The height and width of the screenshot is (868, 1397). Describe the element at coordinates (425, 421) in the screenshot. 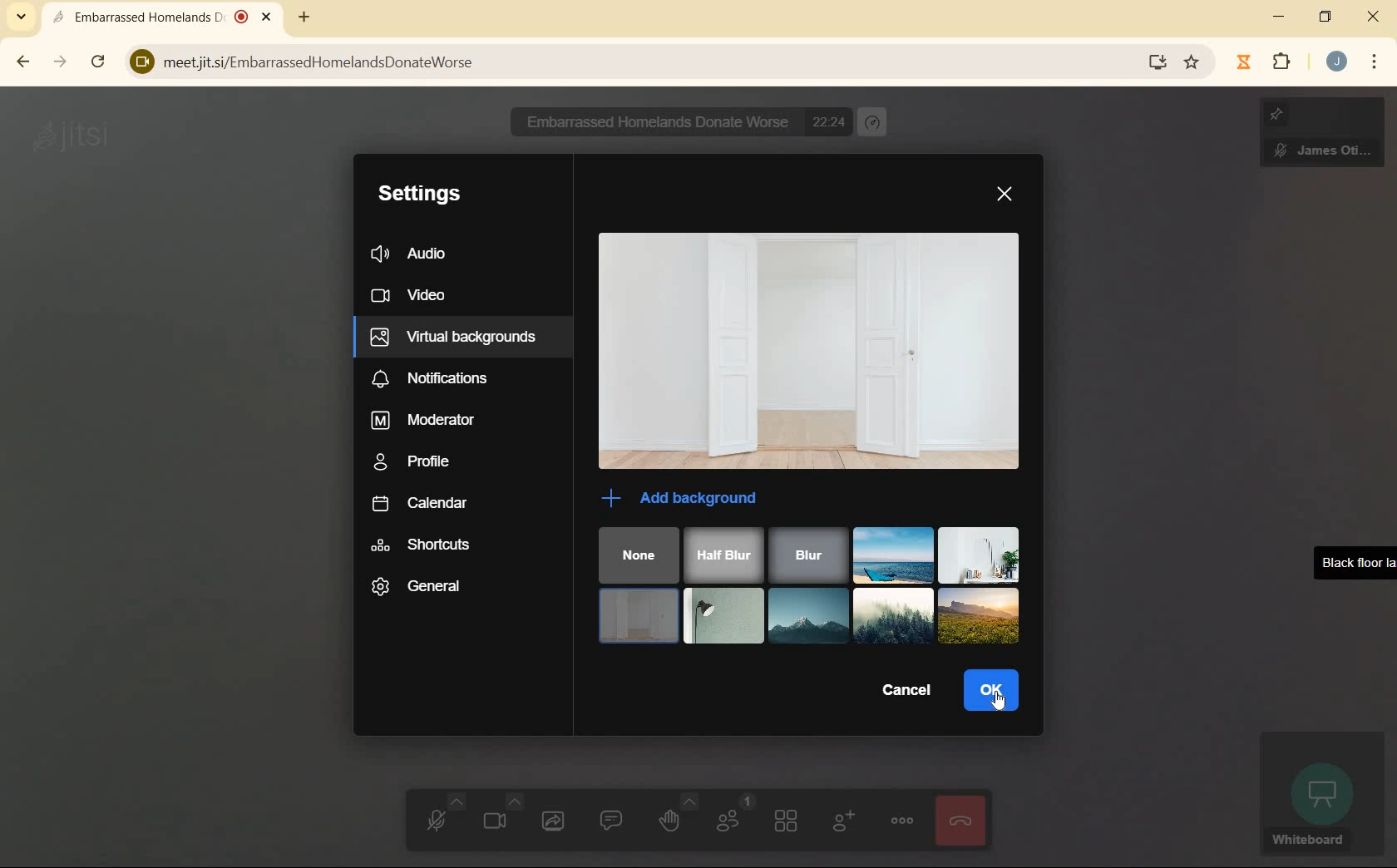

I see `moderator` at that location.